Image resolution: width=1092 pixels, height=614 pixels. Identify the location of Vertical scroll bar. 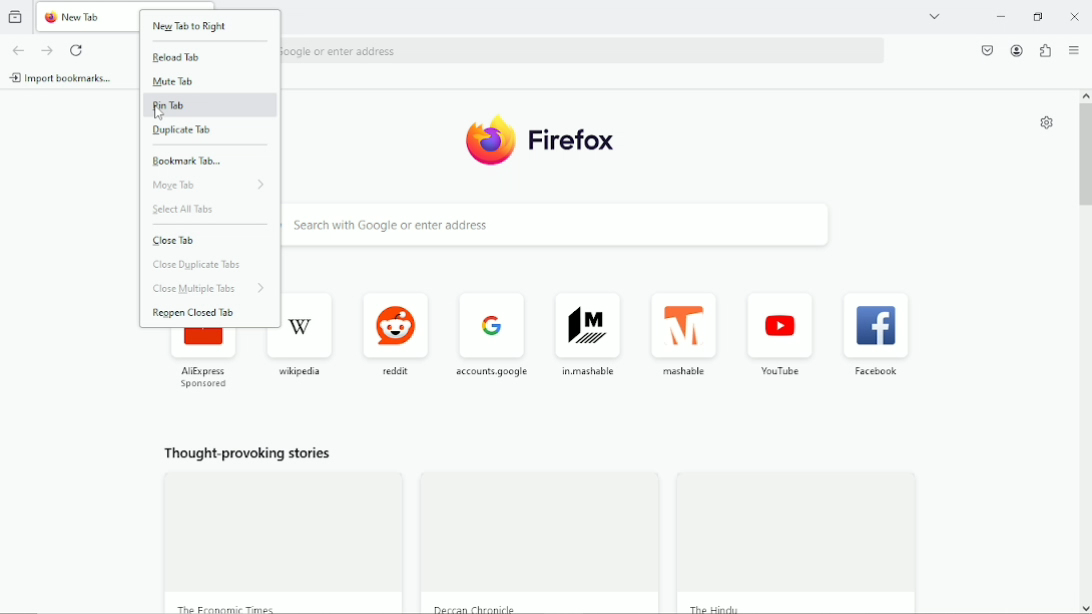
(1085, 151).